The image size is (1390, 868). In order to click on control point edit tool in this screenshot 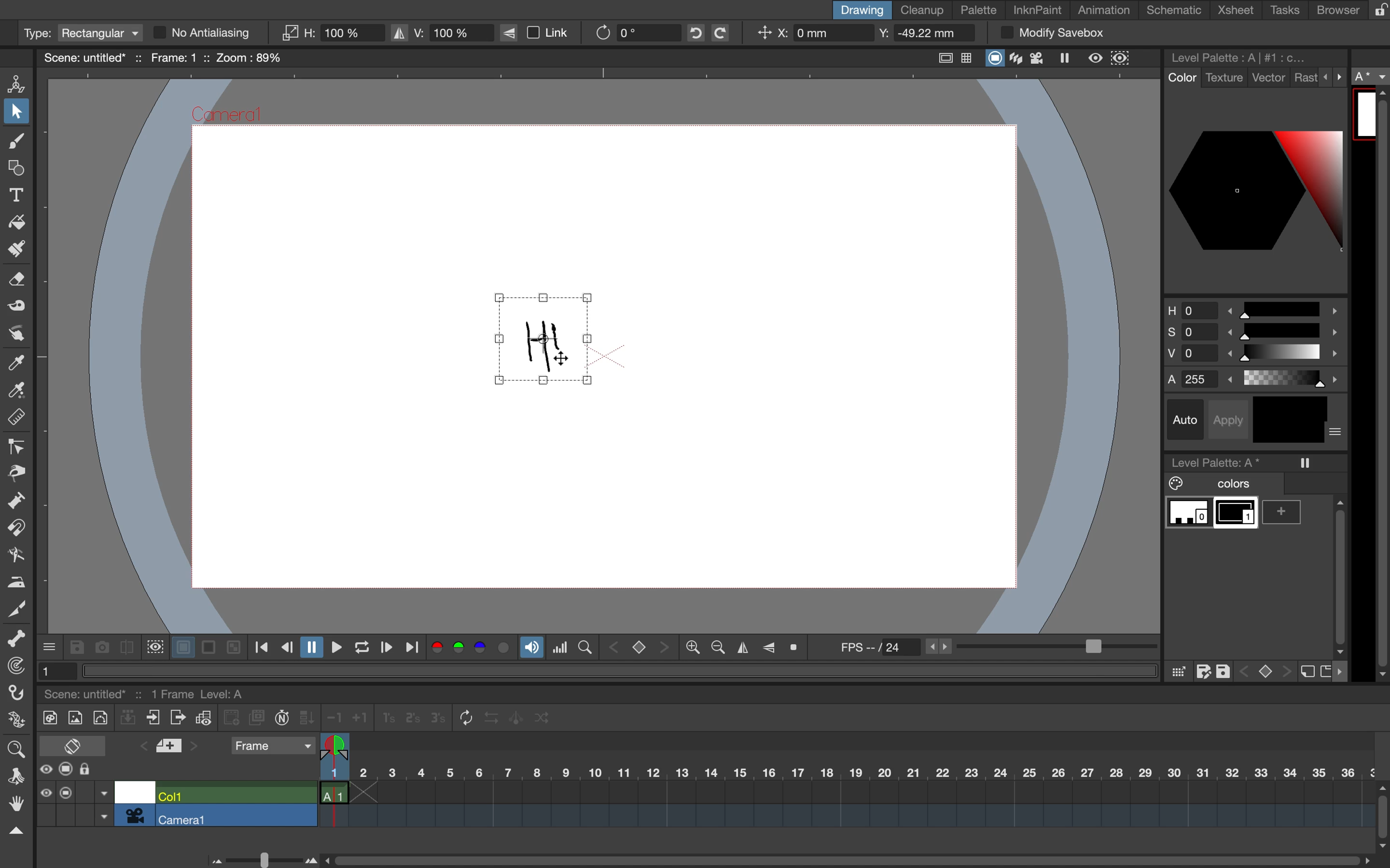, I will do `click(17, 447)`.